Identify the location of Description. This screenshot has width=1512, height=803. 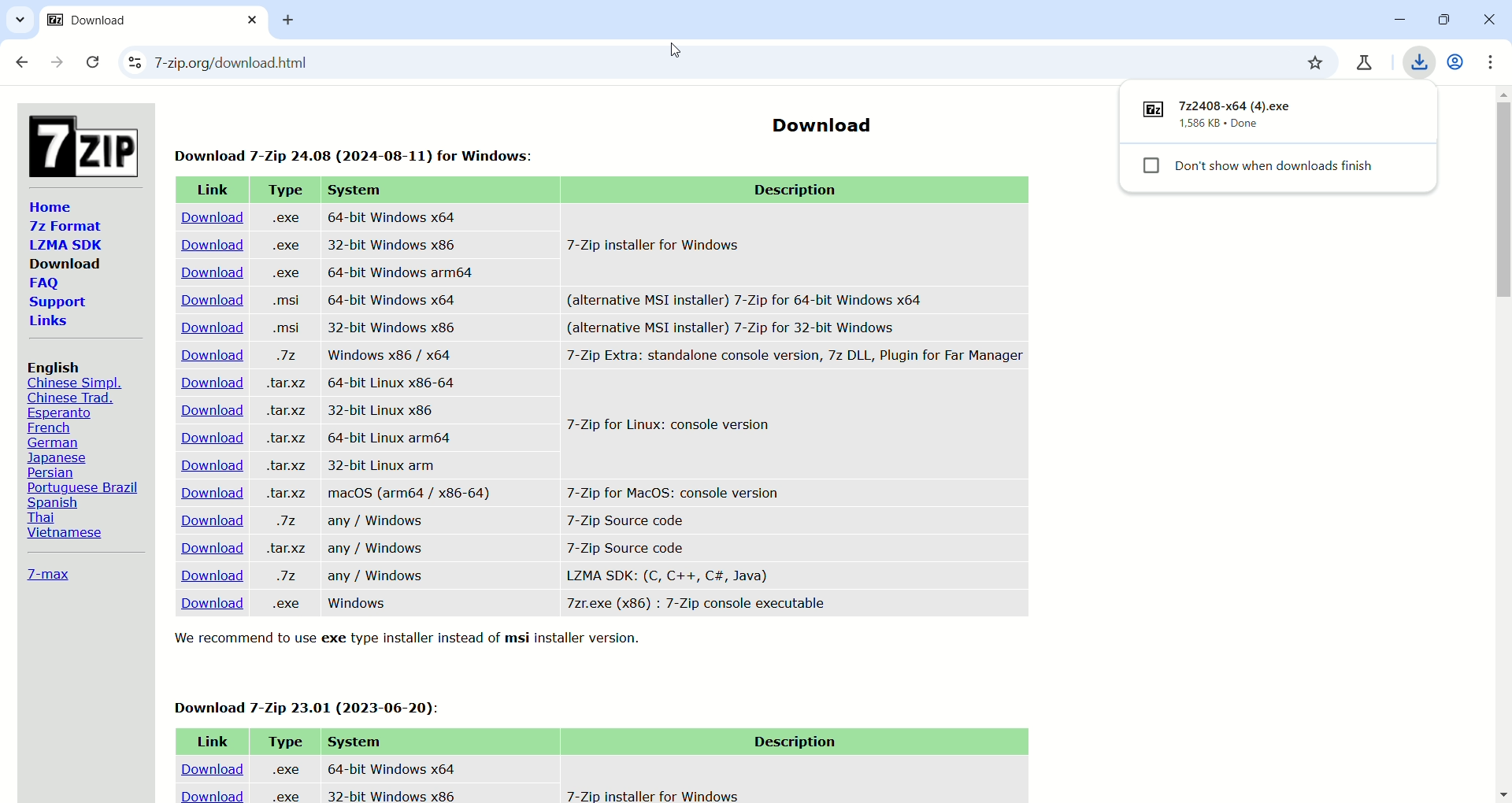
(791, 742).